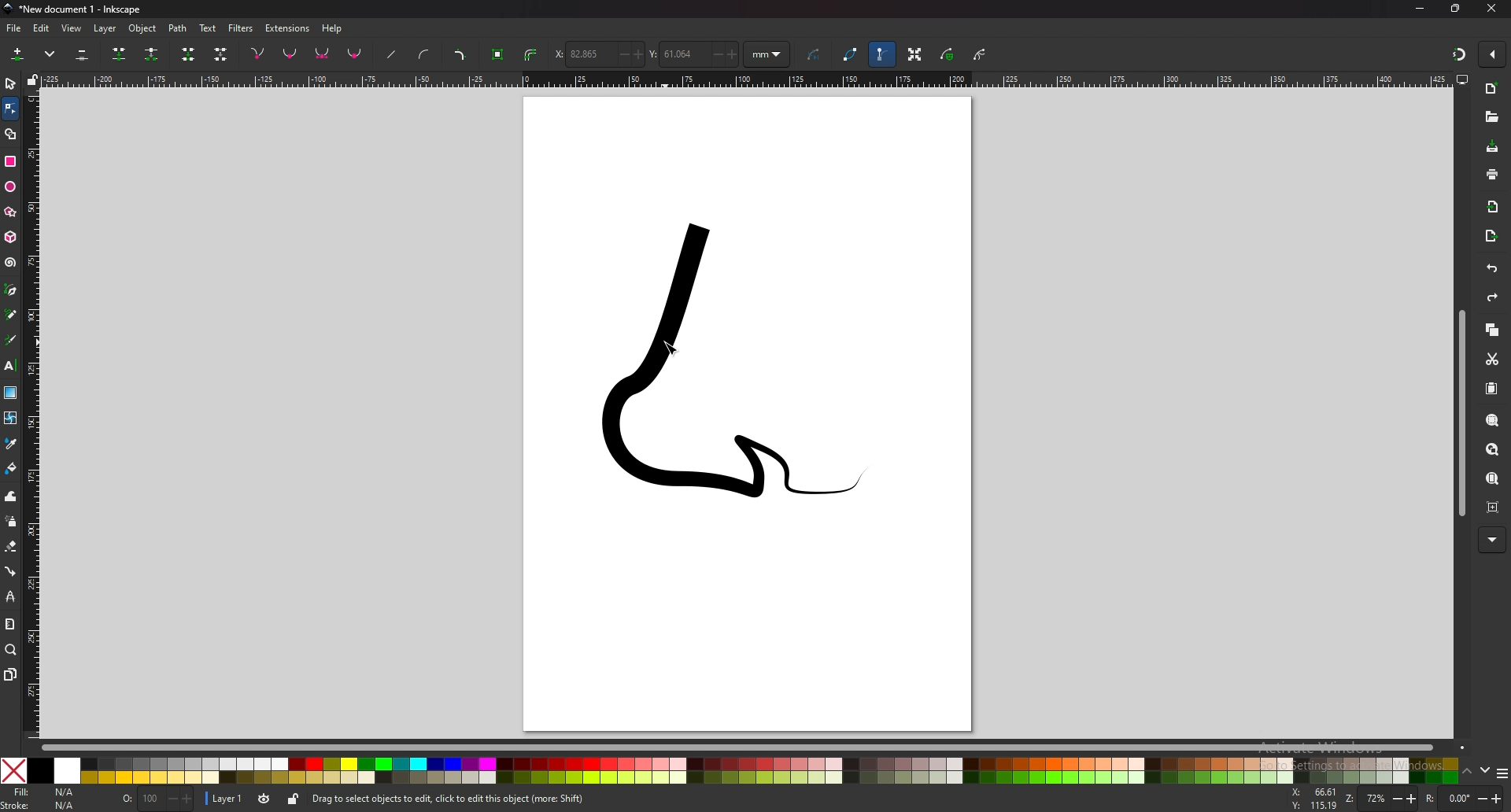 The width and height of the screenshot is (1511, 812). What do you see at coordinates (11, 316) in the screenshot?
I see `pencil` at bounding box center [11, 316].